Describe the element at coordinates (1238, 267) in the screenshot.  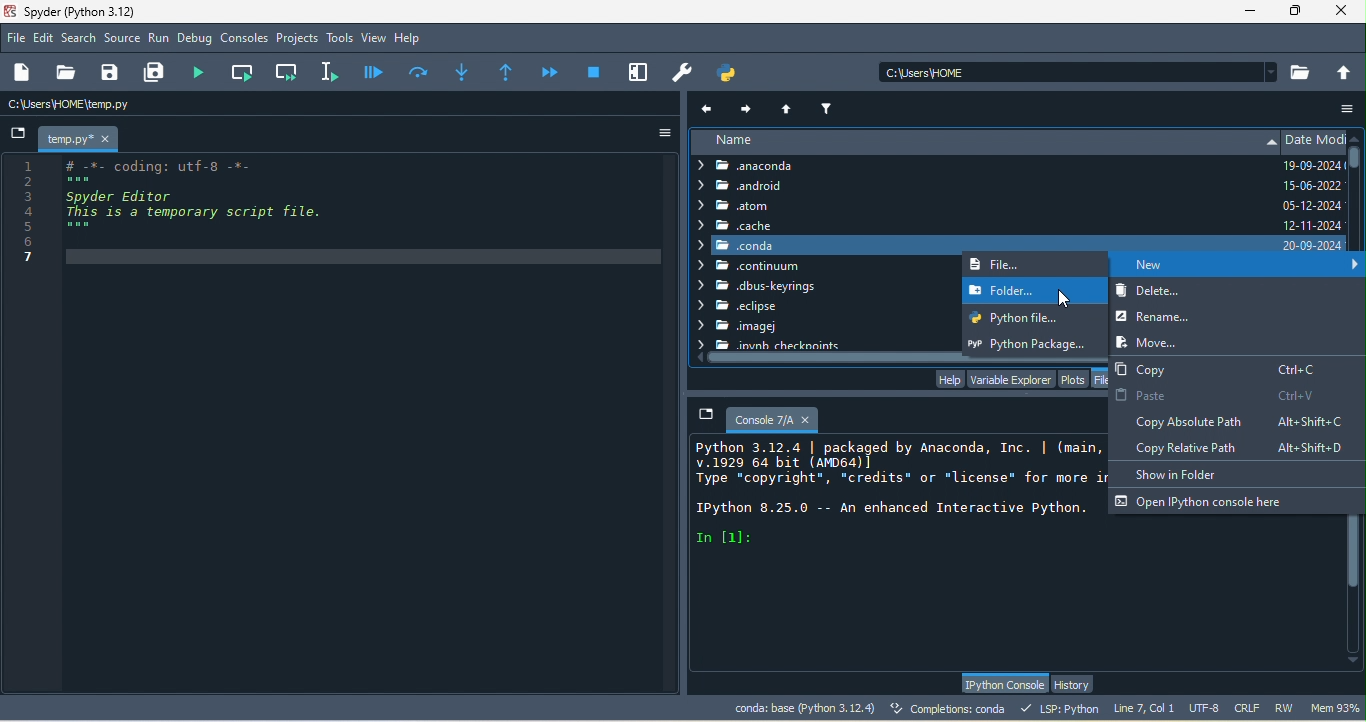
I see `new` at that location.